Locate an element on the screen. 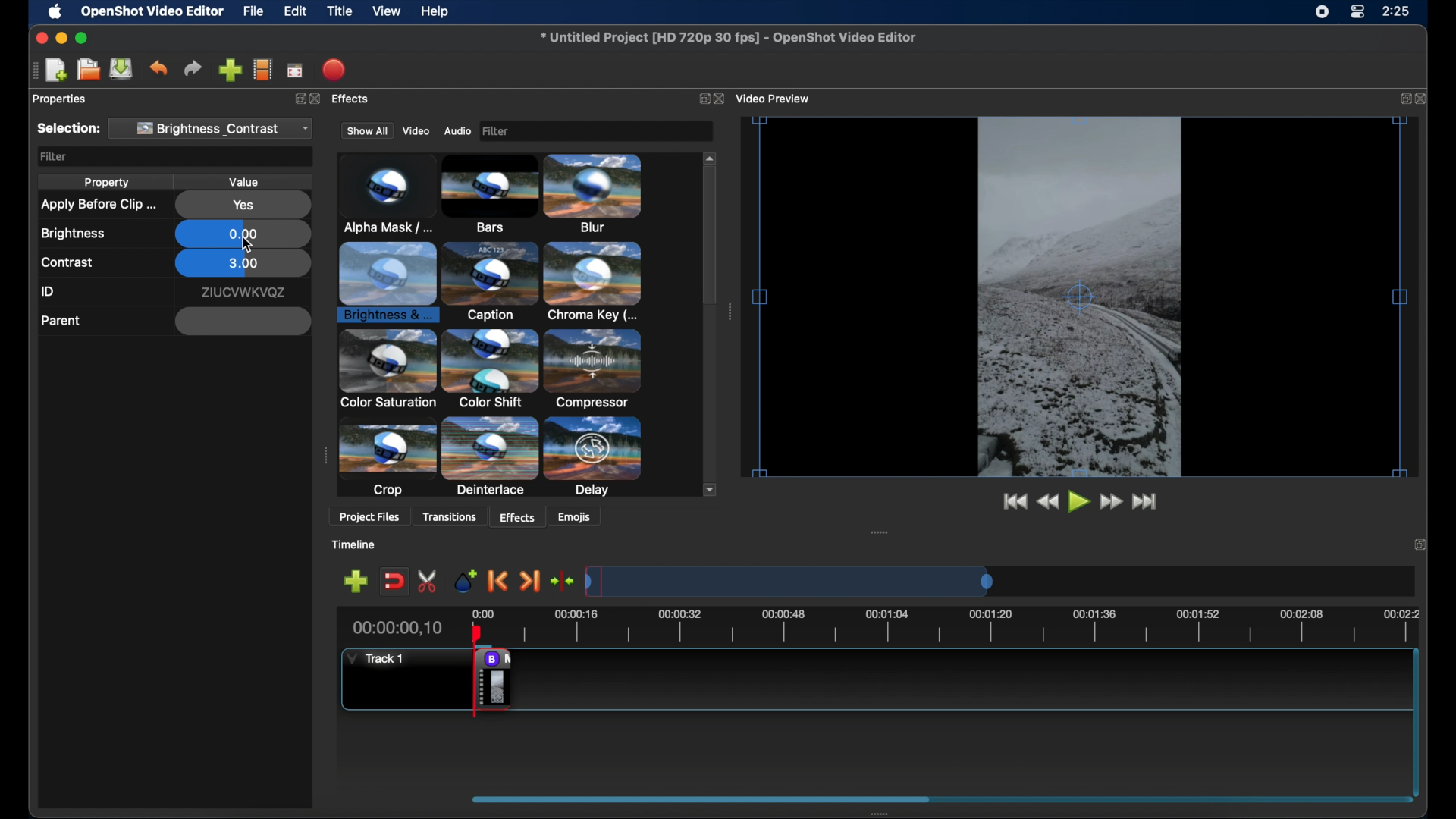 Image resolution: width=1456 pixels, height=819 pixels. yes is located at coordinates (243, 206).